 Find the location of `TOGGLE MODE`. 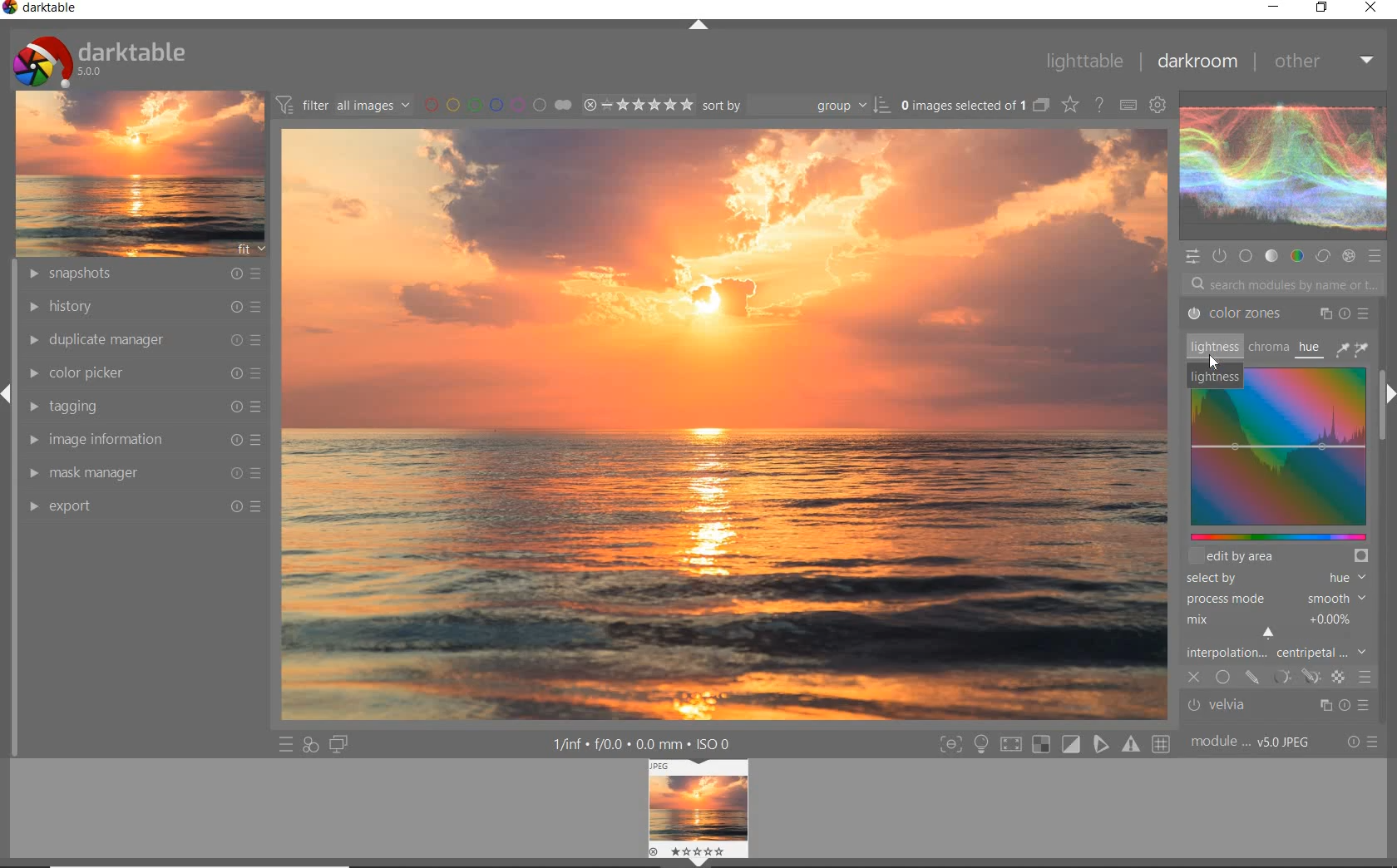

TOGGLE MODE is located at coordinates (1054, 744).